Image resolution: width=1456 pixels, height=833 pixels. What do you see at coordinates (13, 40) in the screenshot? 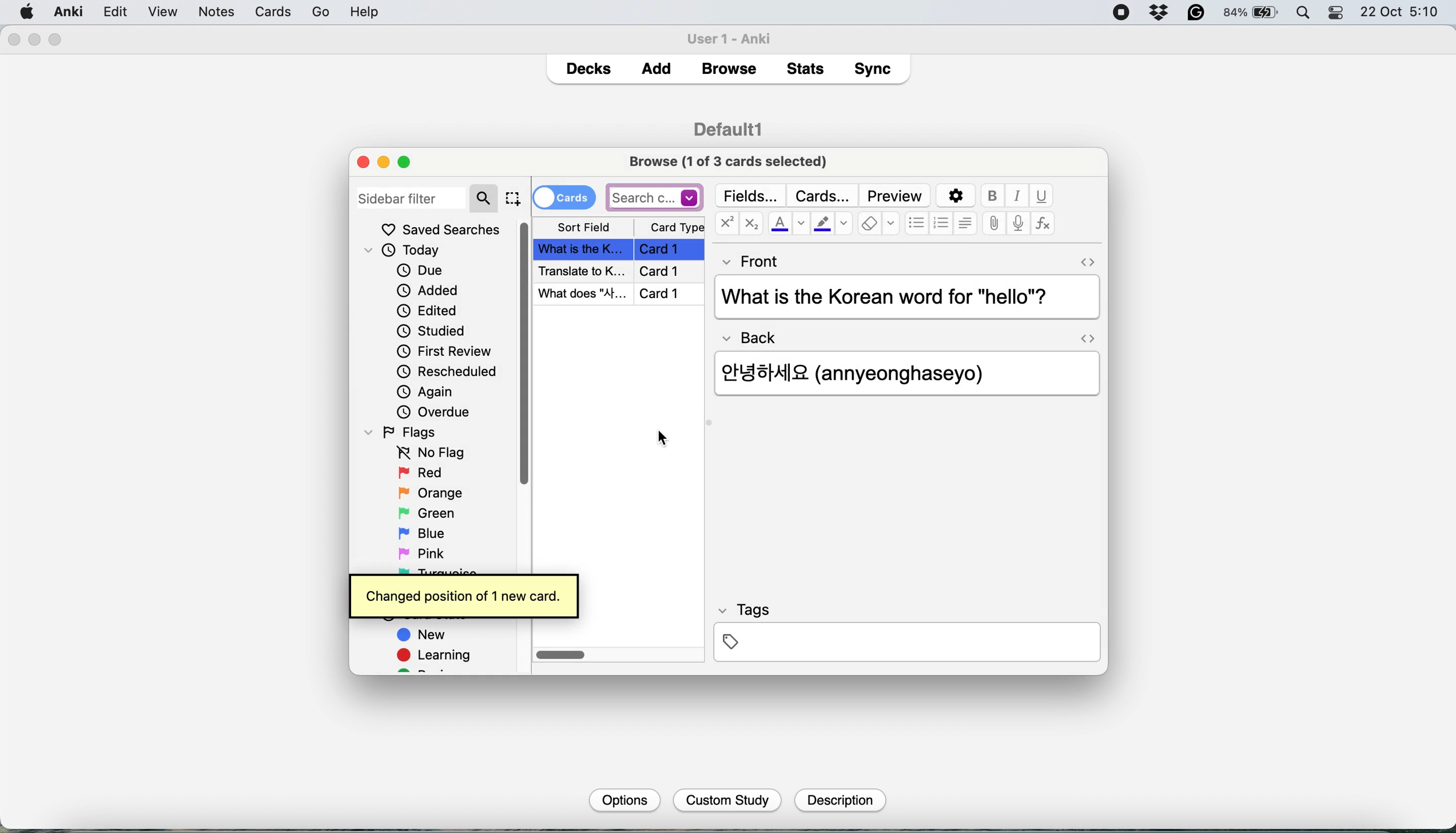
I see `close` at bounding box center [13, 40].